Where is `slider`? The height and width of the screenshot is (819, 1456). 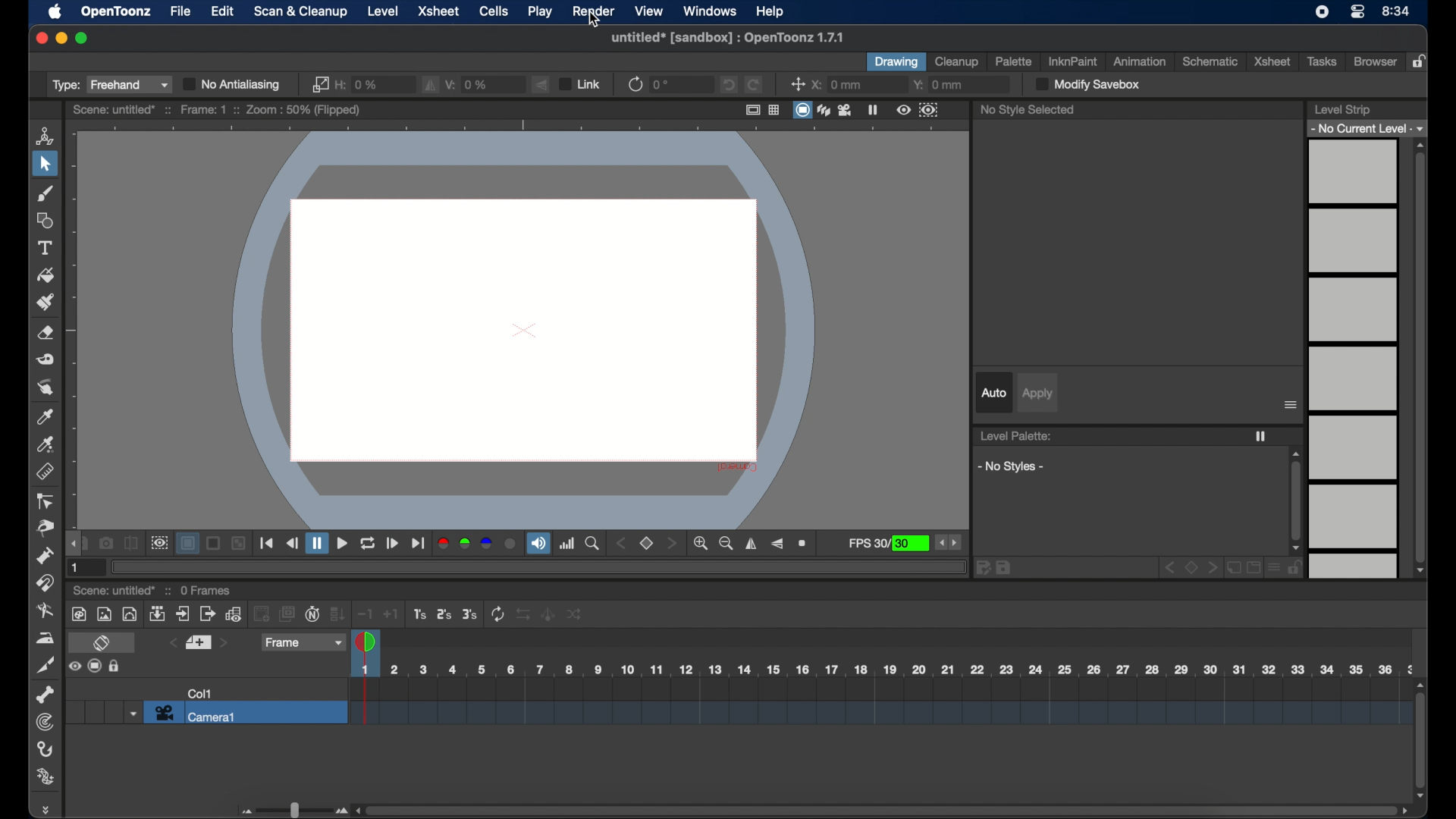
slider is located at coordinates (292, 810).